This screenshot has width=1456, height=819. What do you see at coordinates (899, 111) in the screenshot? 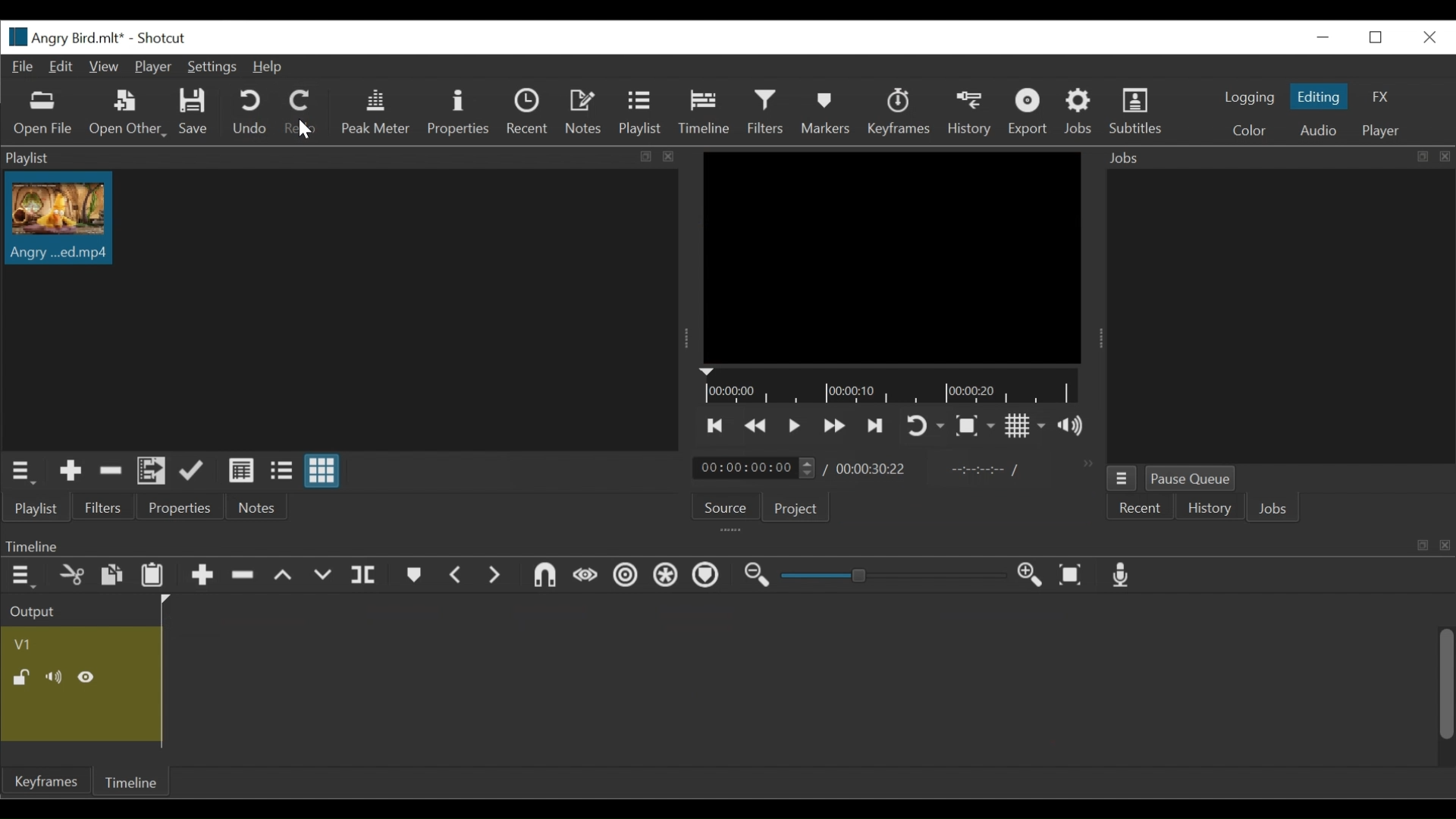
I see `Keyframes` at bounding box center [899, 111].